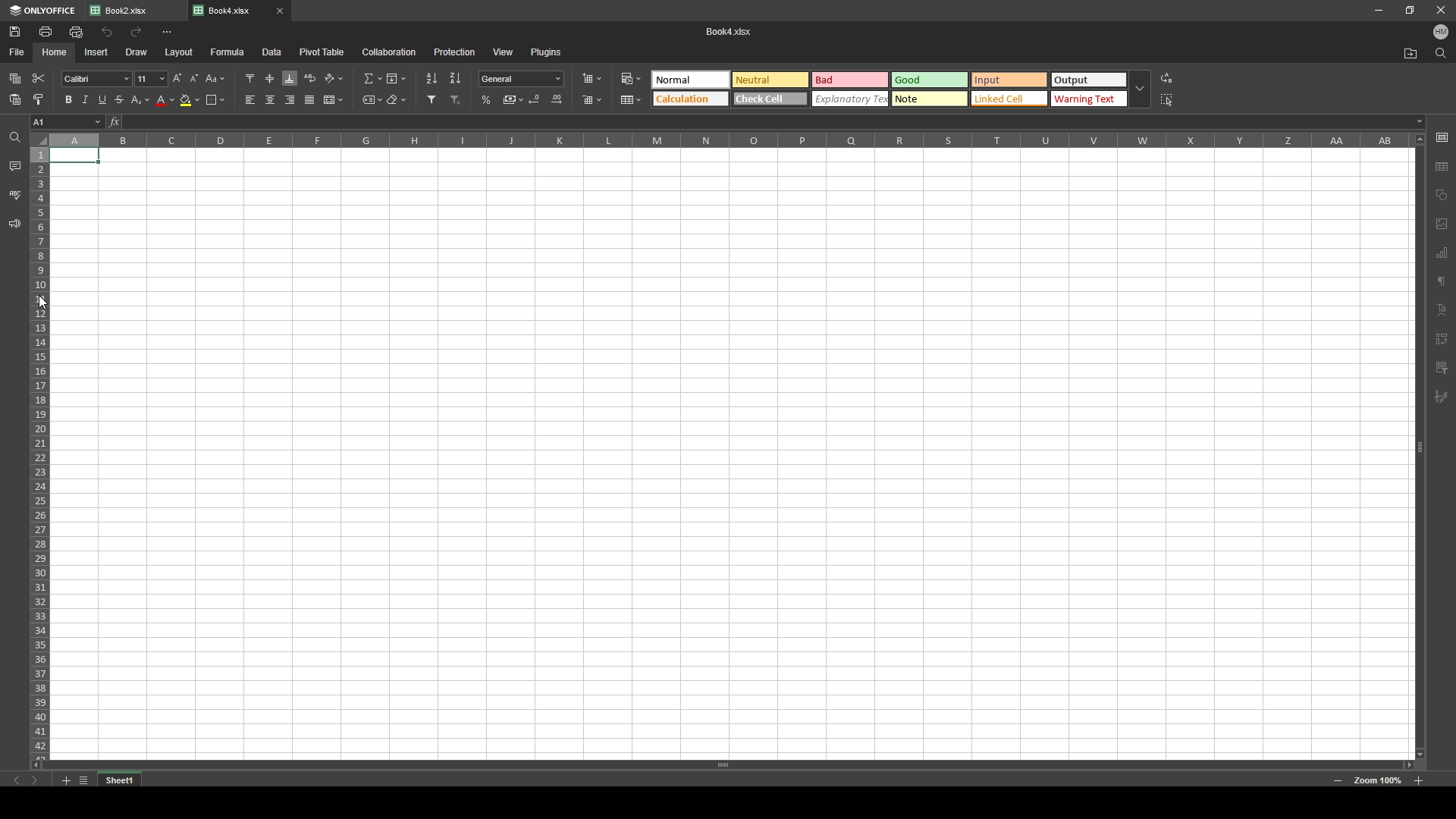  I want to click on Calculation, so click(691, 99).